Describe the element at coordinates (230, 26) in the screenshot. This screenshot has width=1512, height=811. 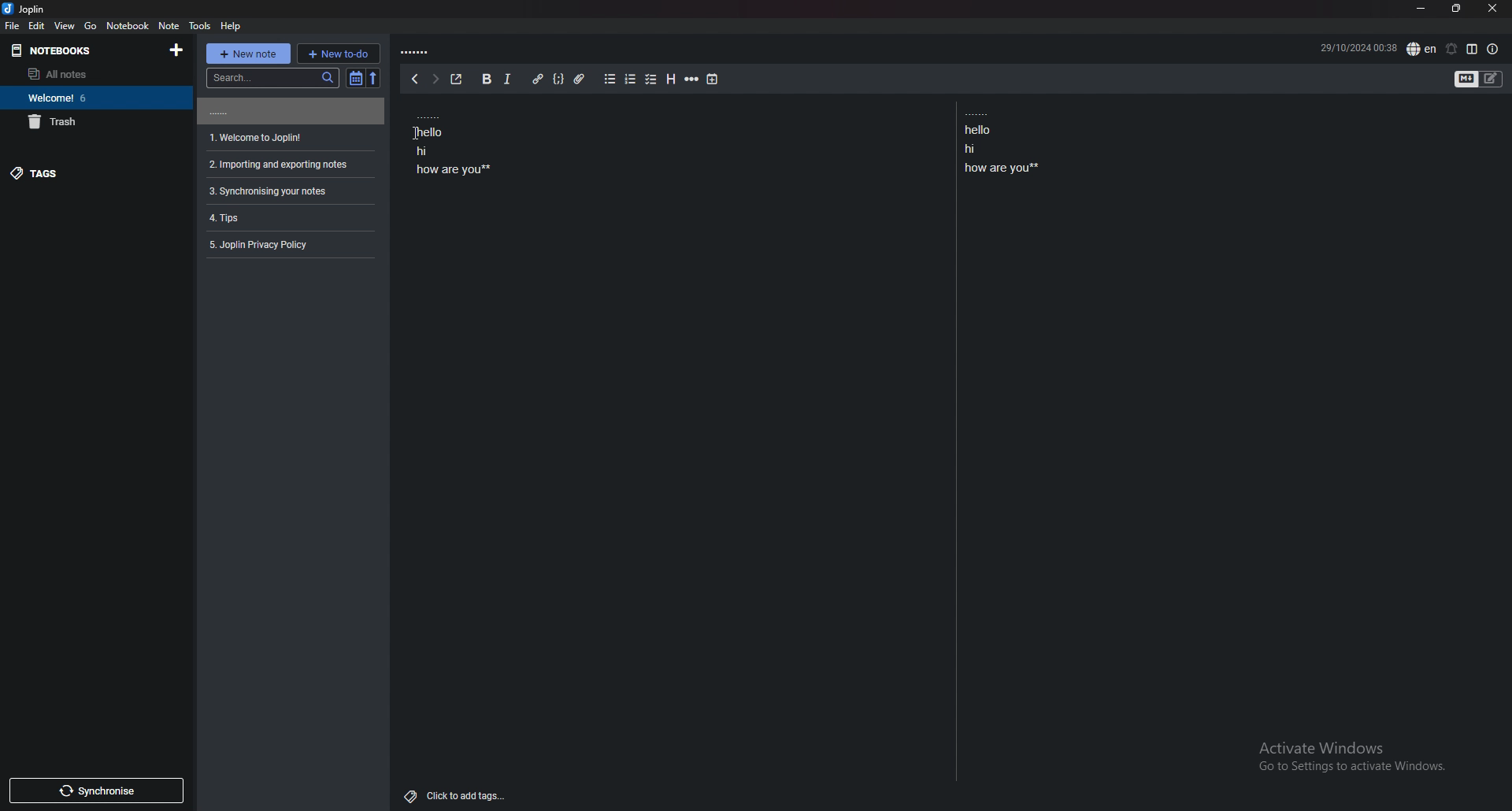
I see `help` at that location.